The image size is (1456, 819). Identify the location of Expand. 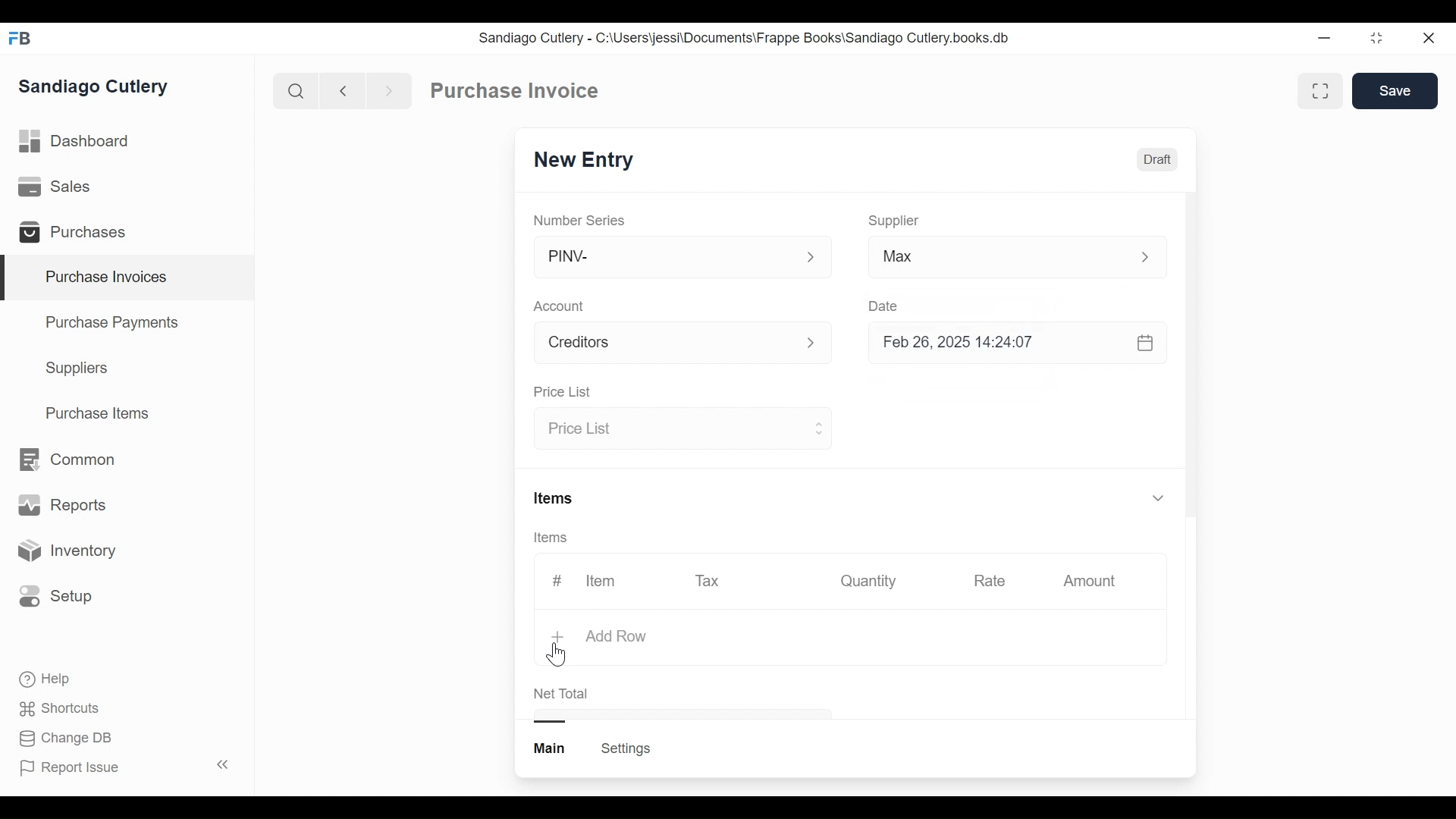
(1153, 257).